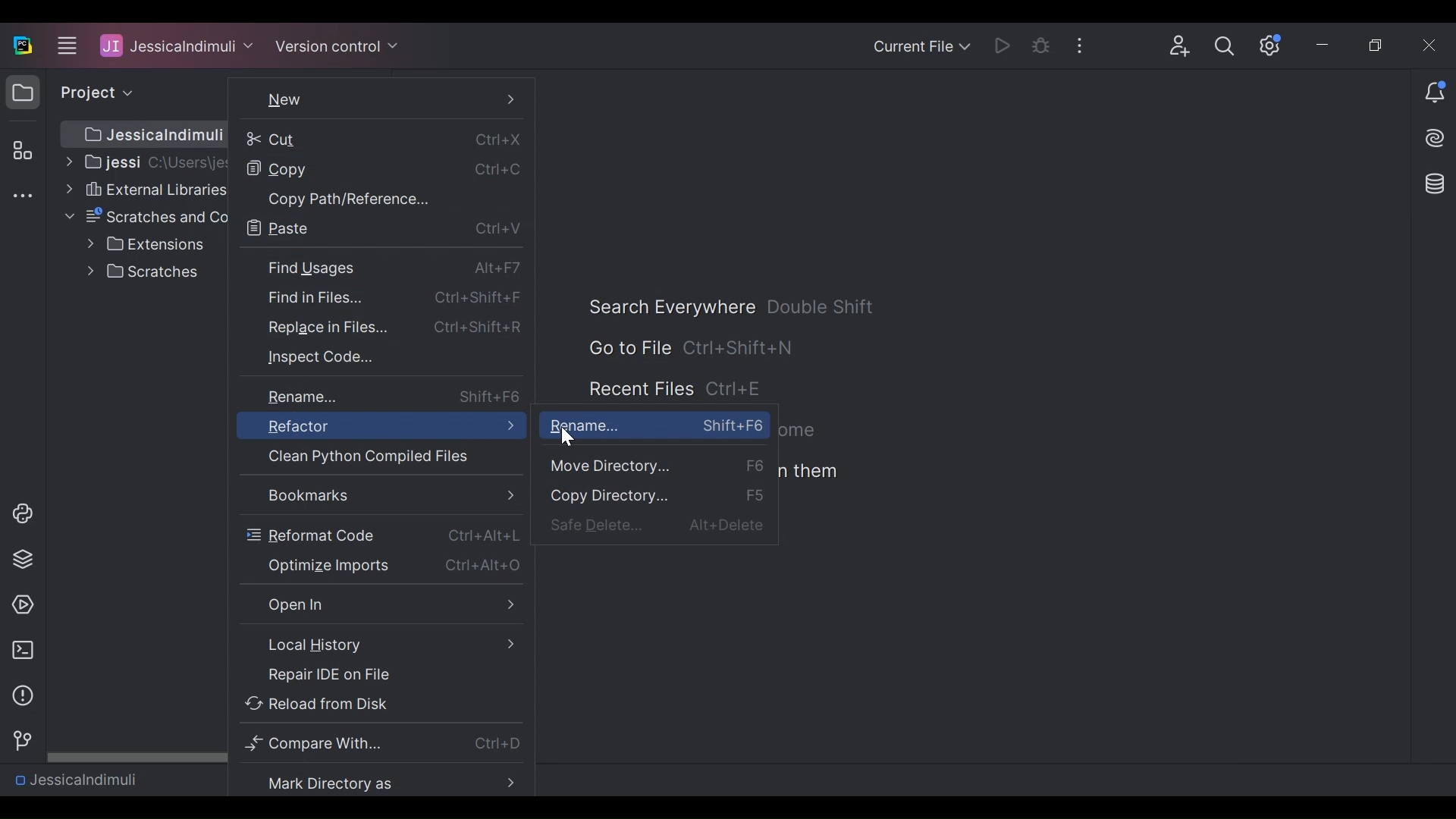 The image size is (1456, 819). What do you see at coordinates (146, 217) in the screenshot?
I see `Scratches and Console File` at bounding box center [146, 217].